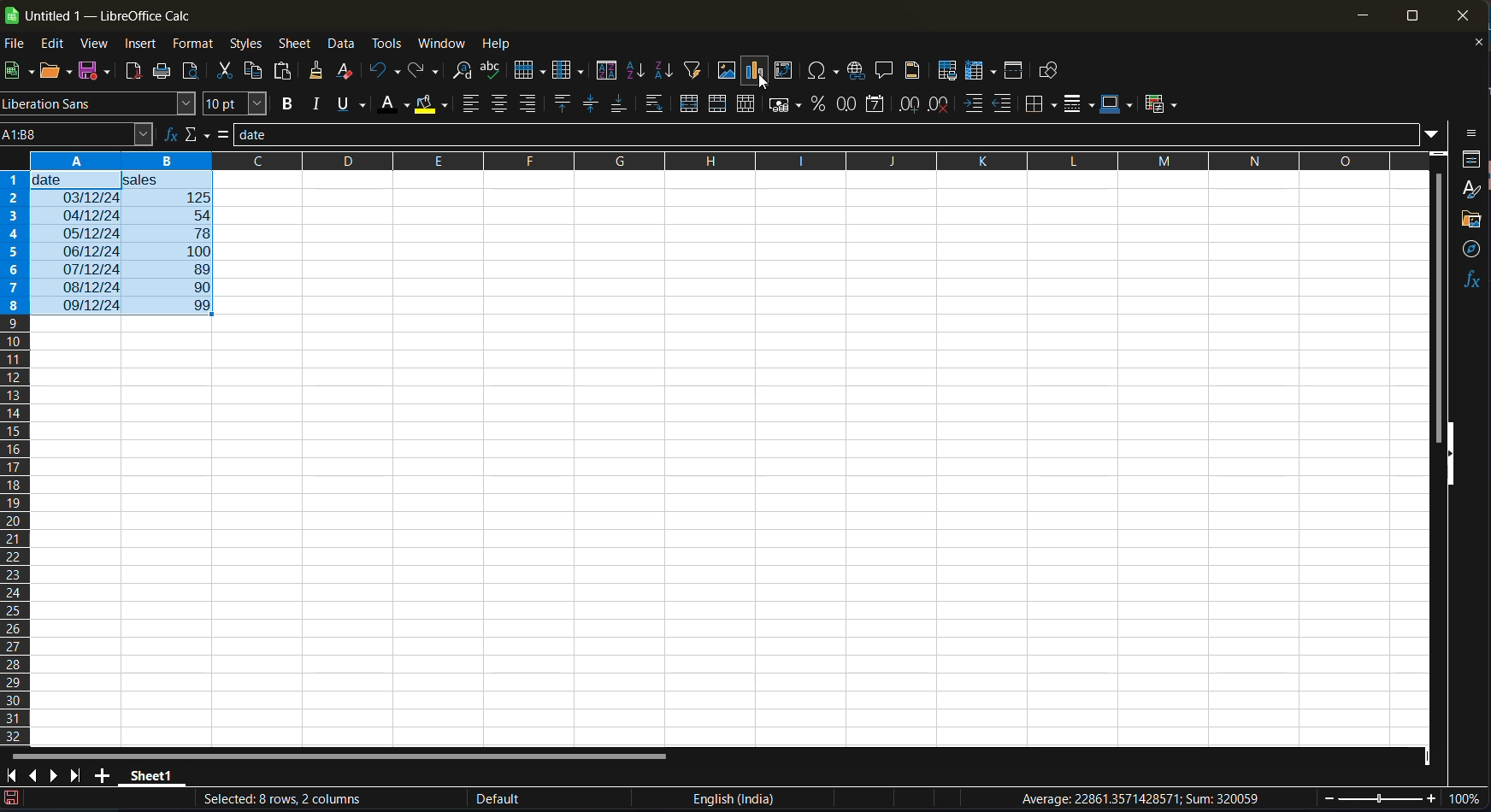 This screenshot has width=1491, height=812. Describe the element at coordinates (984, 73) in the screenshot. I see `freeze rows and columns` at that location.